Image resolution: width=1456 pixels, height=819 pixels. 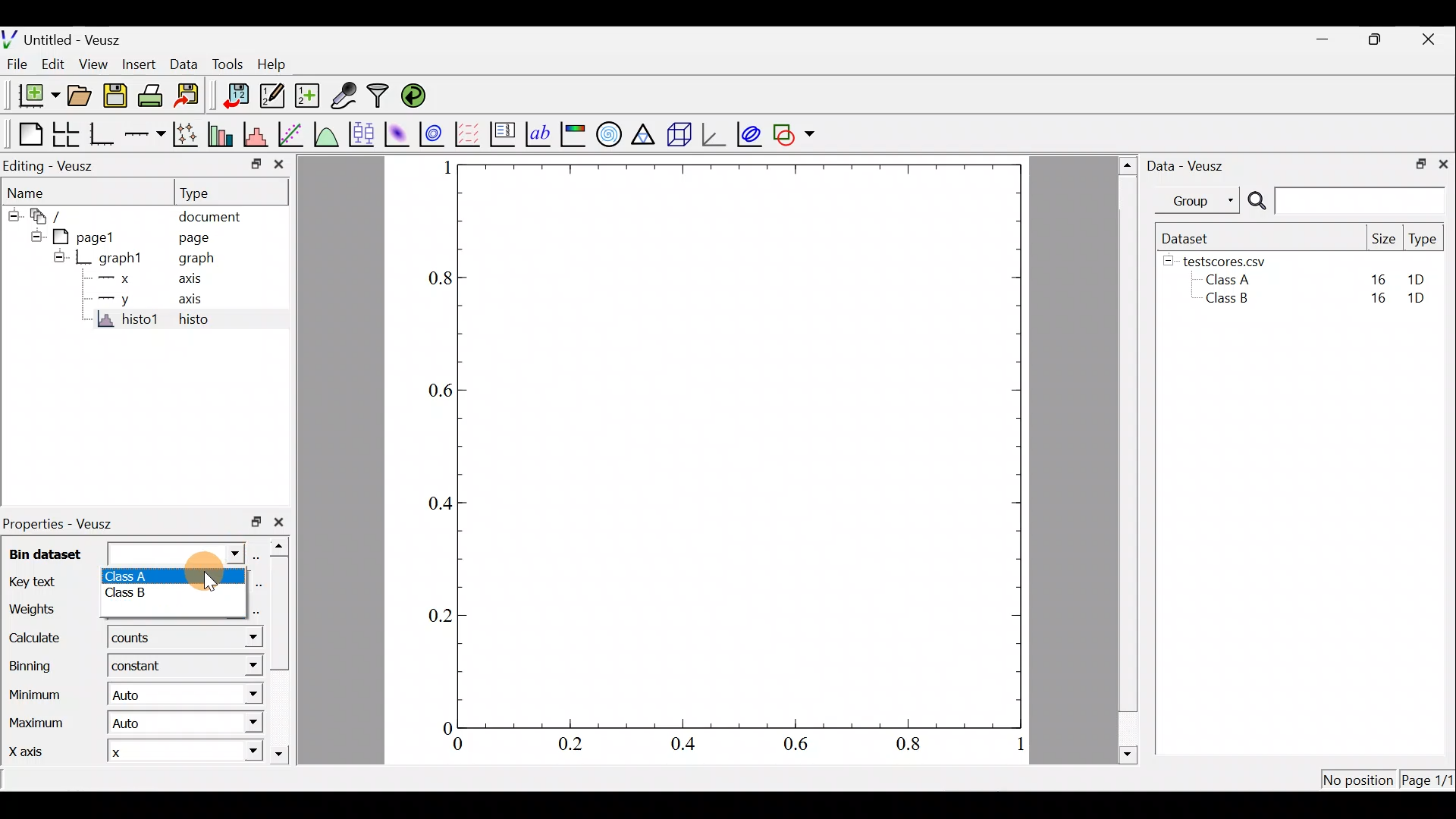 I want to click on Restore down, so click(x=1379, y=40).